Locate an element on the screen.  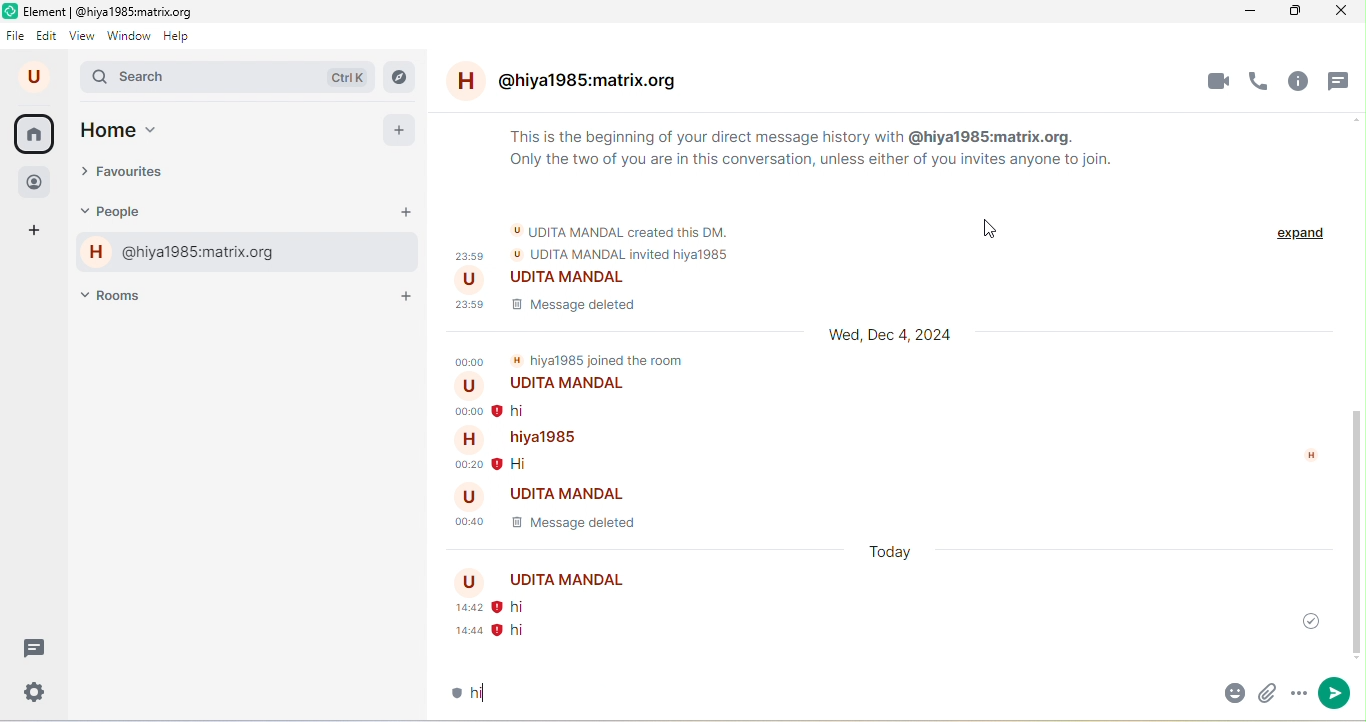
file is located at coordinates (16, 34).